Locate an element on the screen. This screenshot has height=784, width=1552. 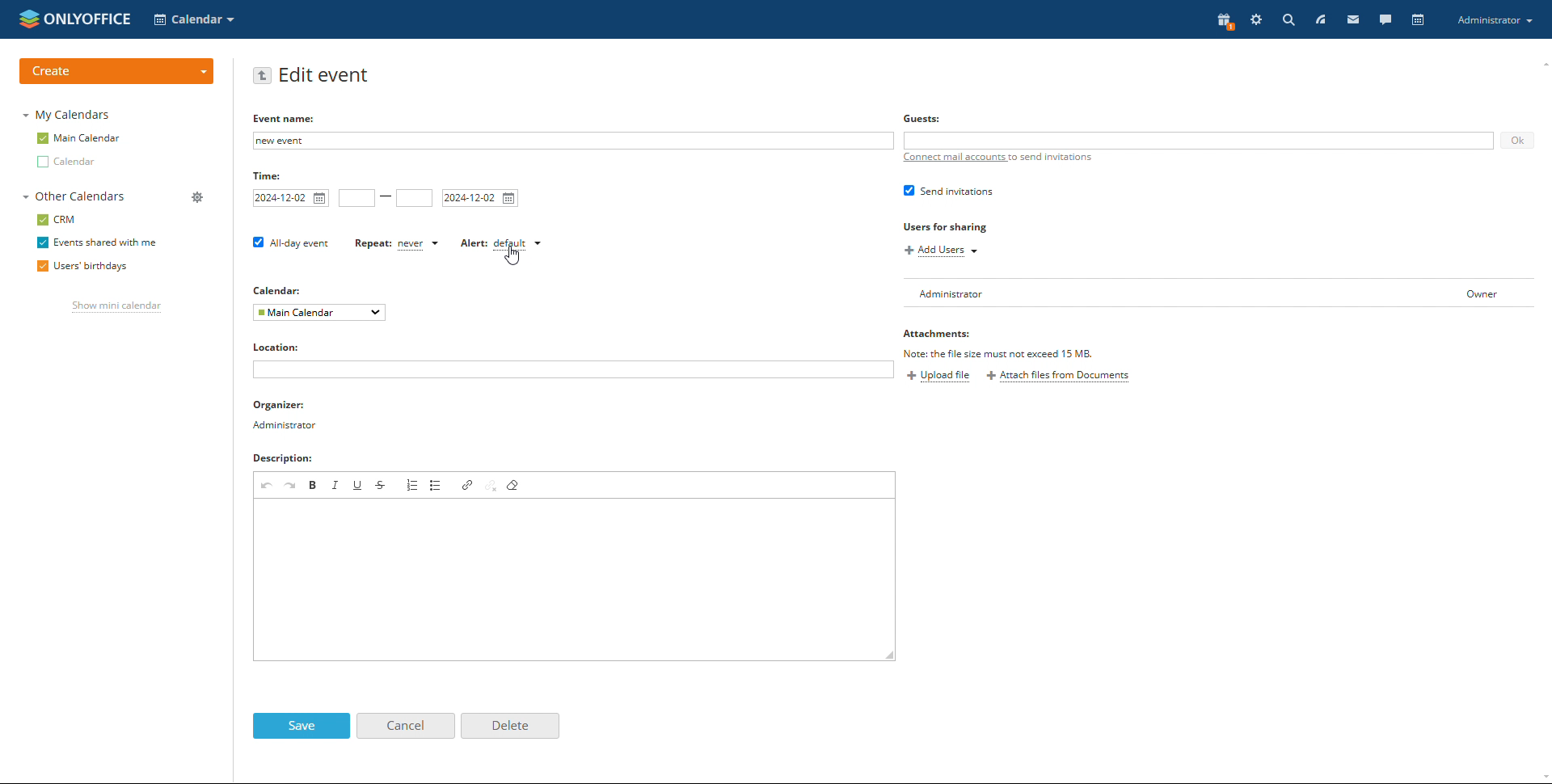
time: is located at coordinates (272, 176).